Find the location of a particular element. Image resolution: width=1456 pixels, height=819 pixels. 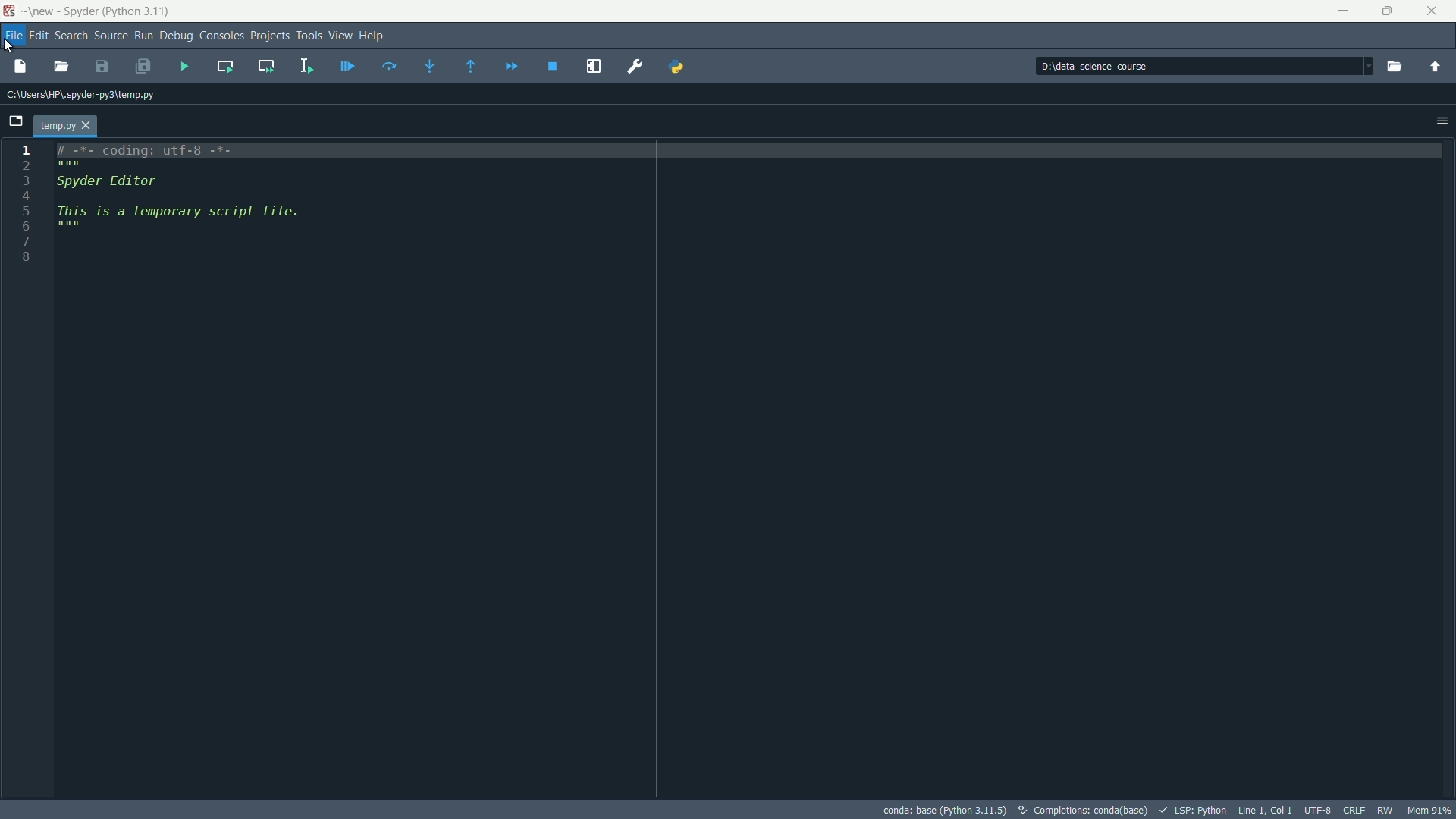

lsp python is located at coordinates (1197, 808).